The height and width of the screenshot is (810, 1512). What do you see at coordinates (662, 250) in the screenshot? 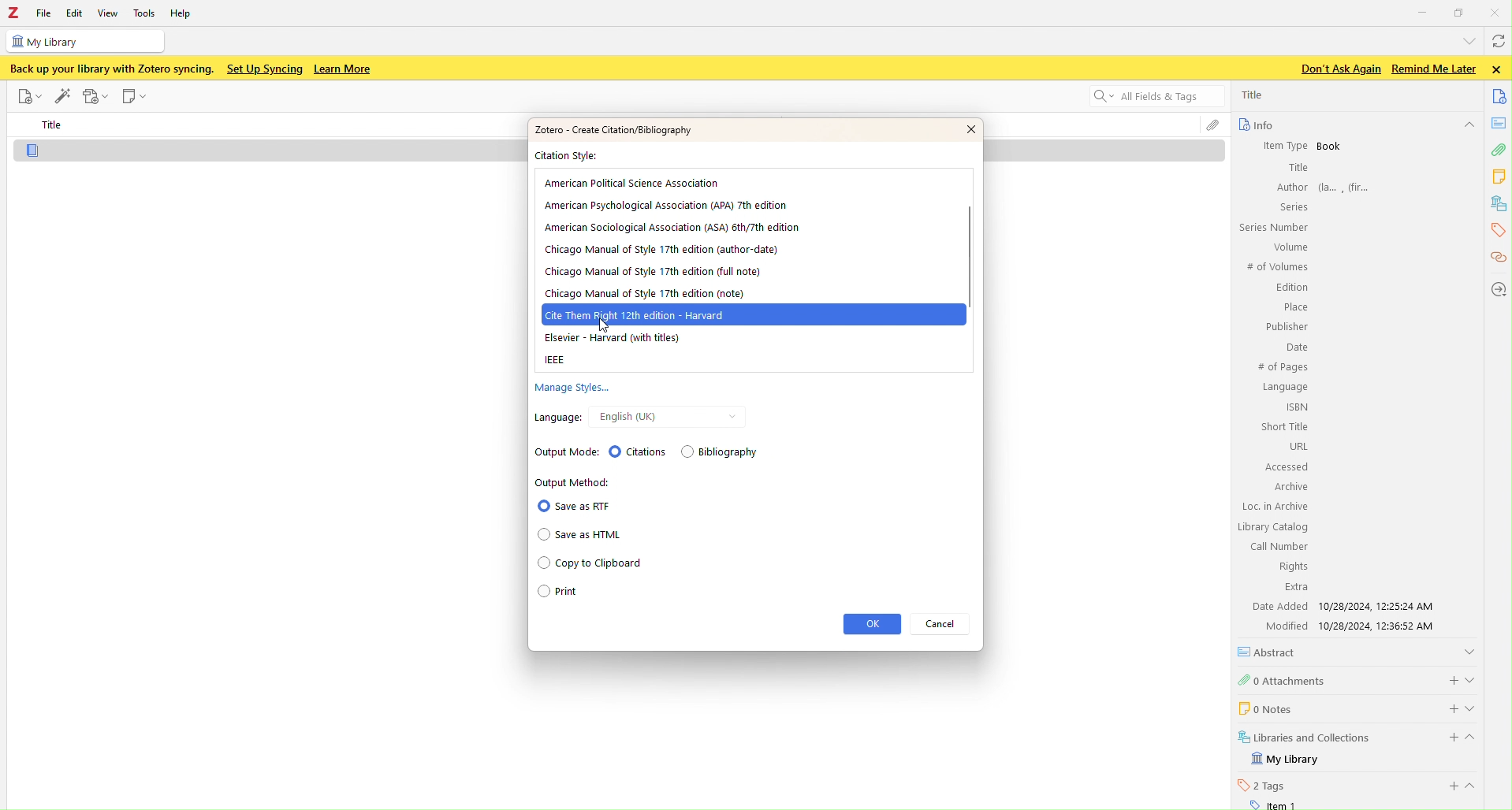
I see `Chicago Manual of Style 17th edition (author-date)` at bounding box center [662, 250].